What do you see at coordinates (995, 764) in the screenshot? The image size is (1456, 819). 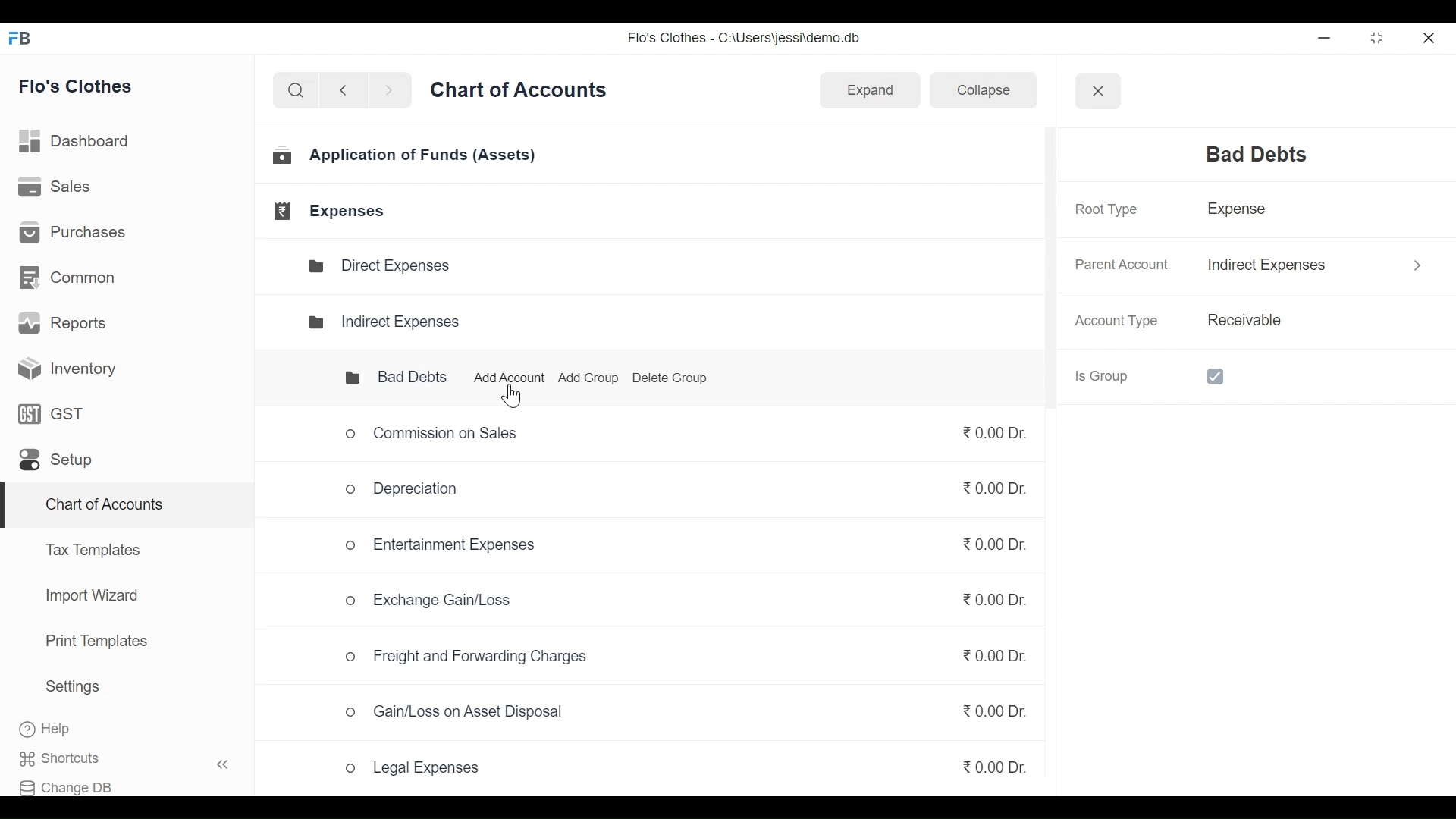 I see `₹0.00 Dr.` at bounding box center [995, 764].